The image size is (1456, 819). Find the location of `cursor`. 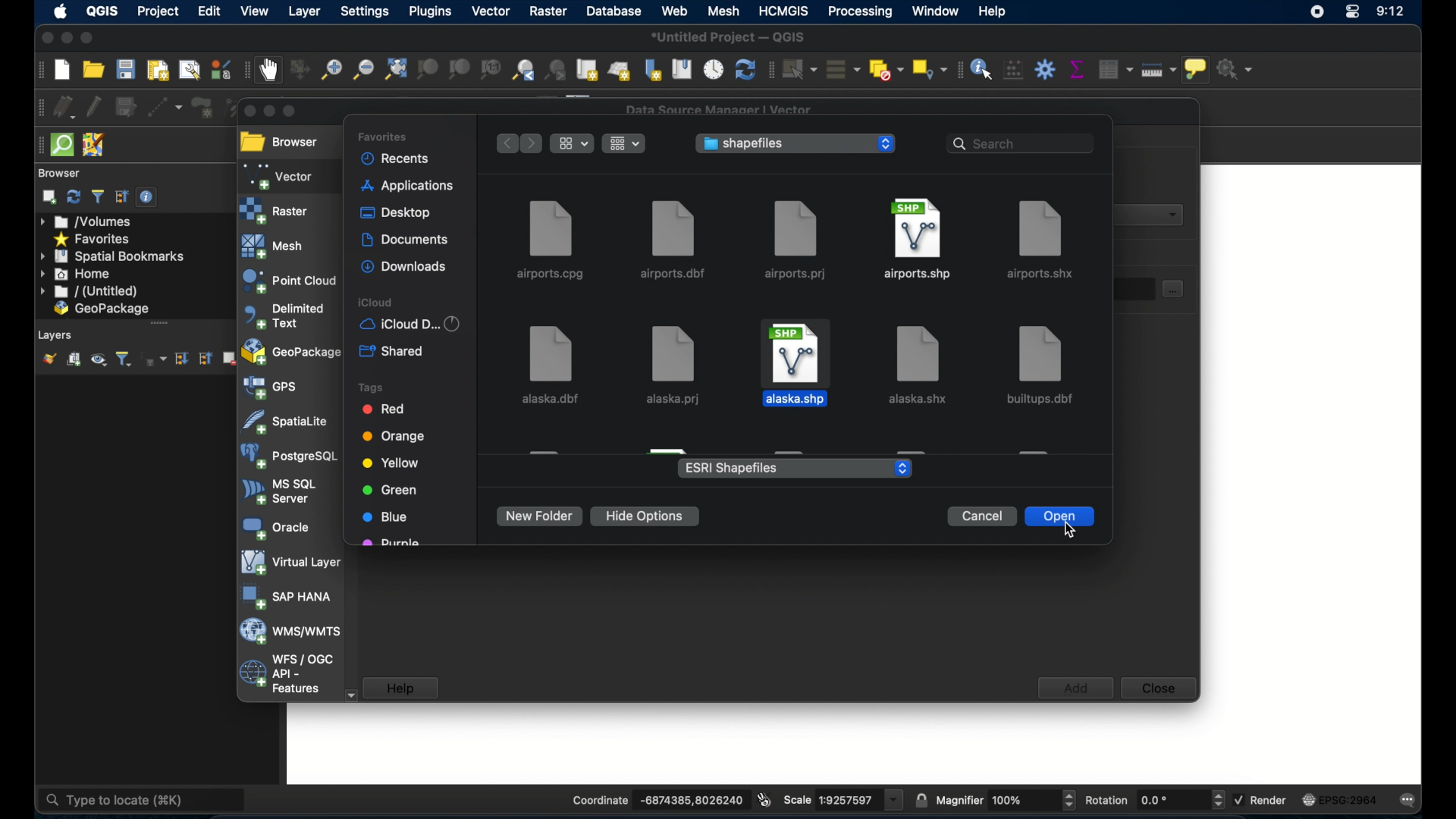

cursor is located at coordinates (1071, 529).